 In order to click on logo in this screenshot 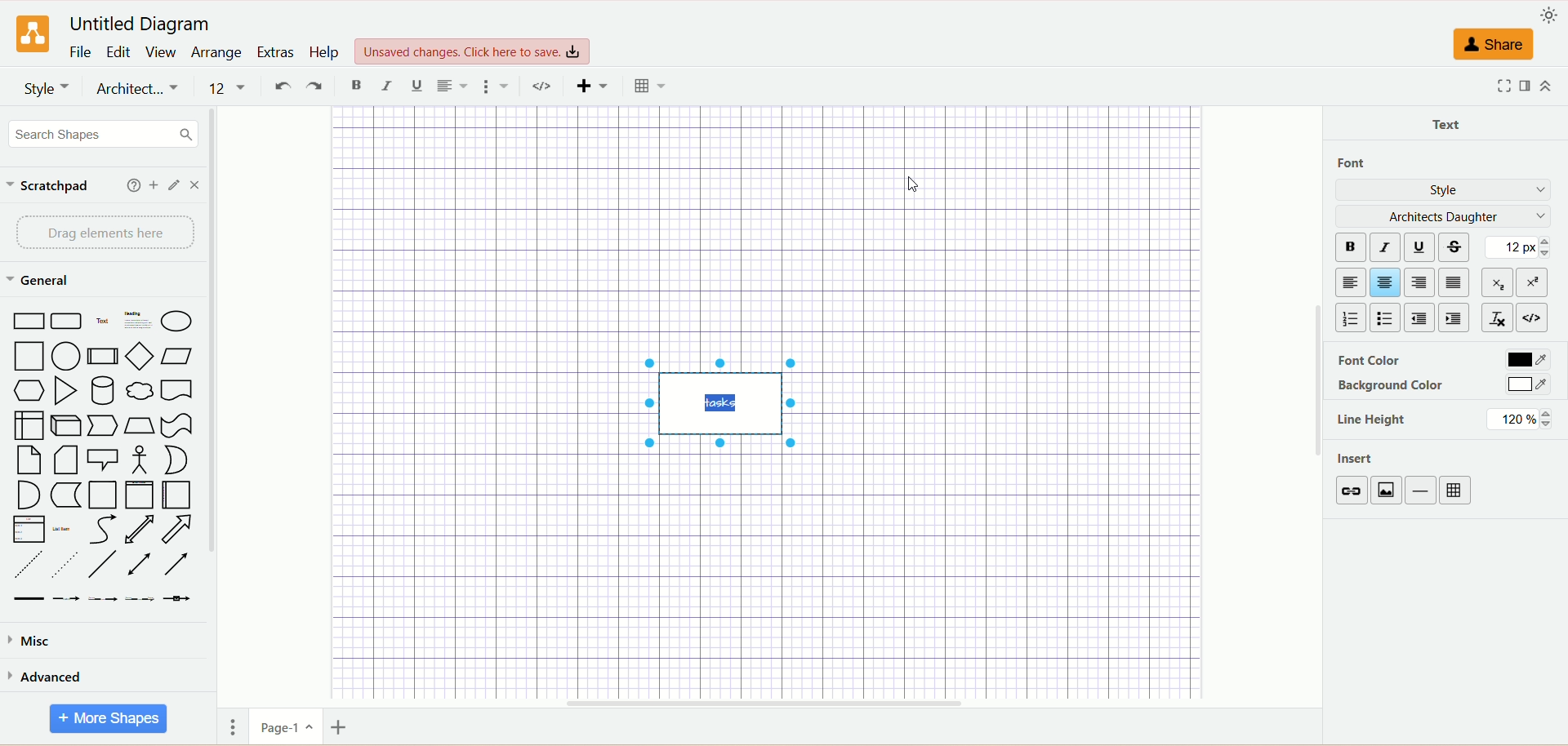, I will do `click(34, 33)`.